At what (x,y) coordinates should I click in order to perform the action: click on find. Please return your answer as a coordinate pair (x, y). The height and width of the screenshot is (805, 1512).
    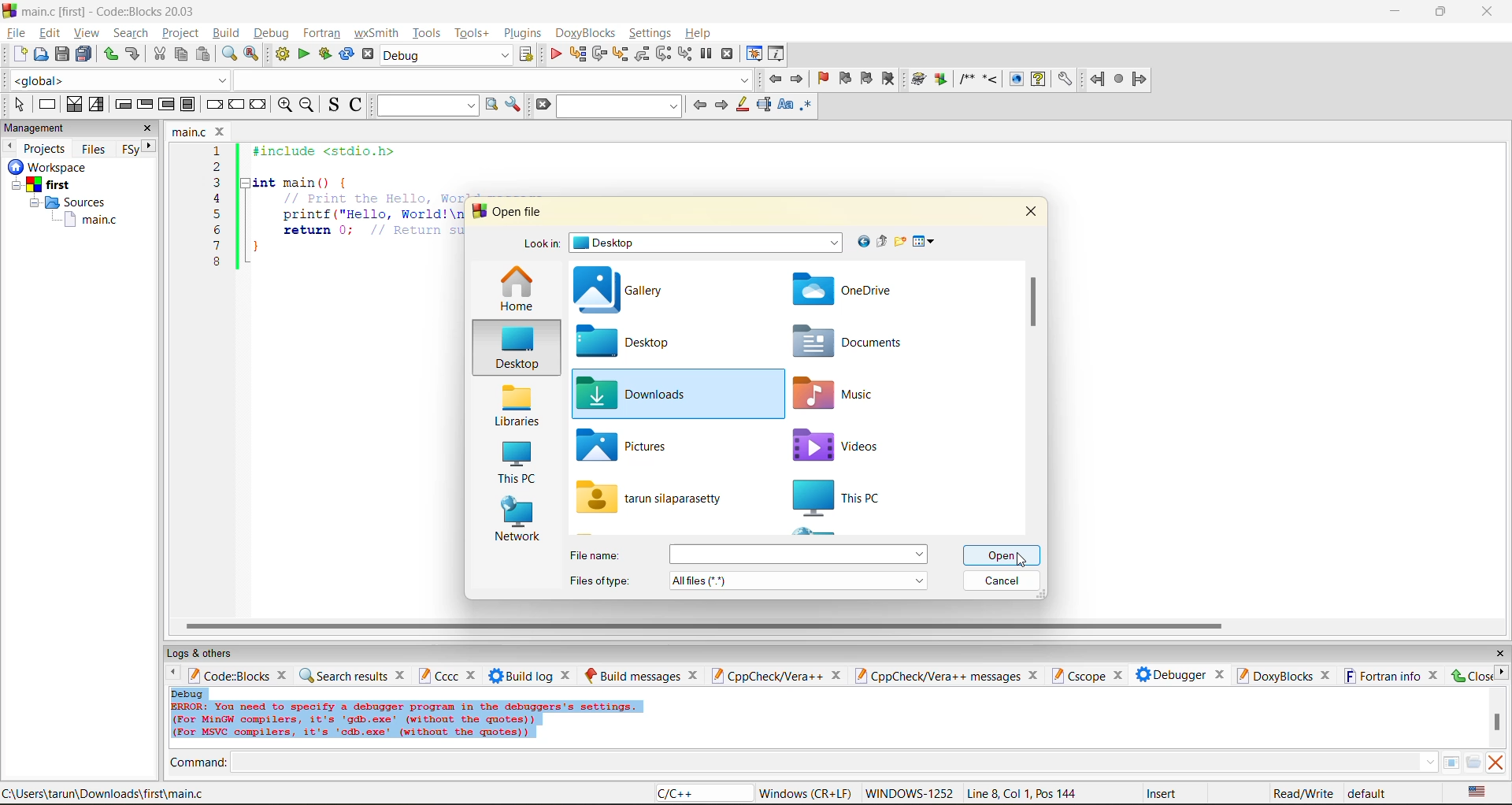
    Looking at the image, I should click on (228, 54).